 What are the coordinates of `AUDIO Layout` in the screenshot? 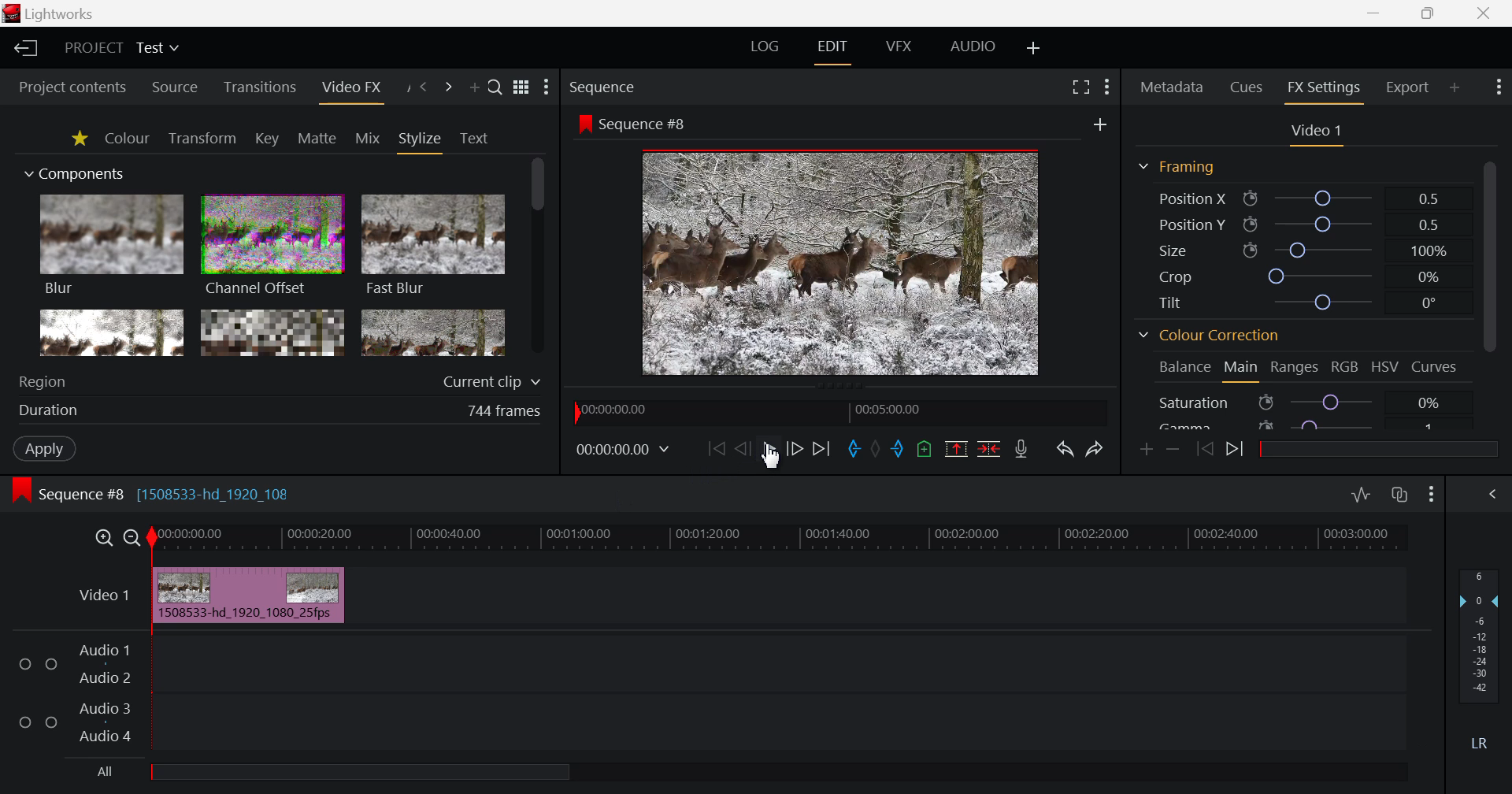 It's located at (973, 46).